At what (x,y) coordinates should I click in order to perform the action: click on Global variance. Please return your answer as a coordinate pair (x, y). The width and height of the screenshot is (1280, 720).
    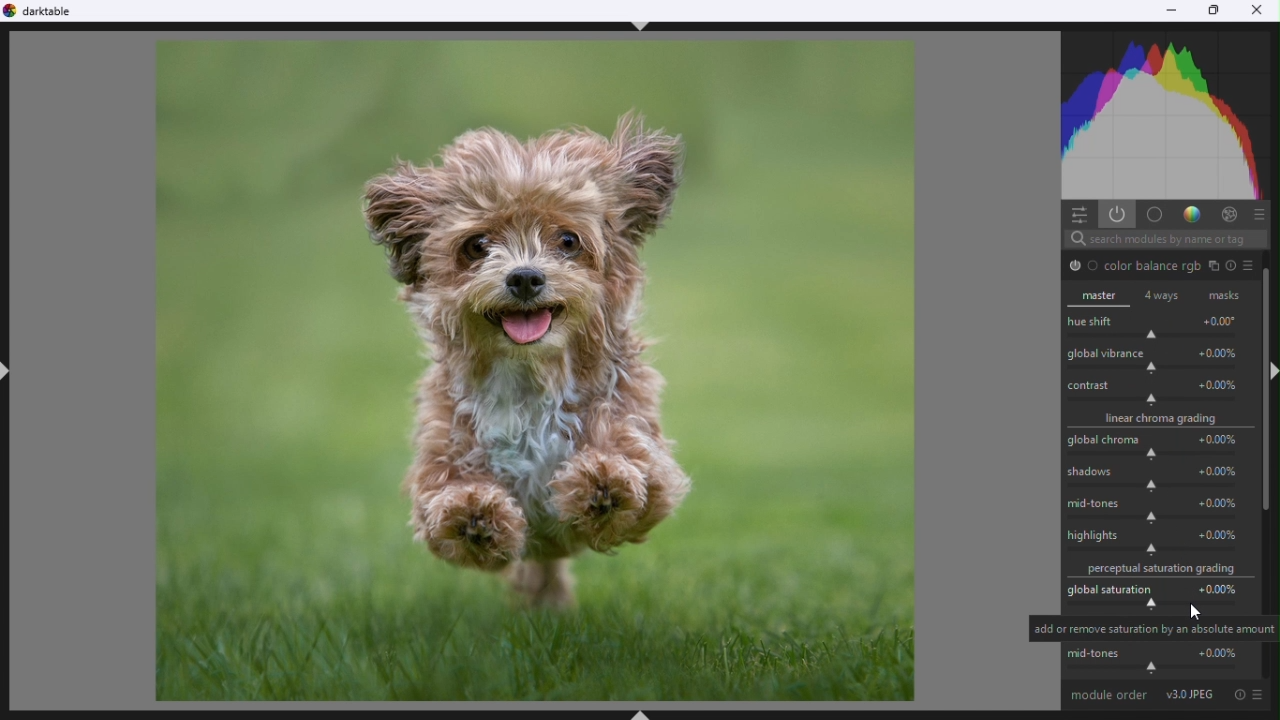
    Looking at the image, I should click on (1158, 360).